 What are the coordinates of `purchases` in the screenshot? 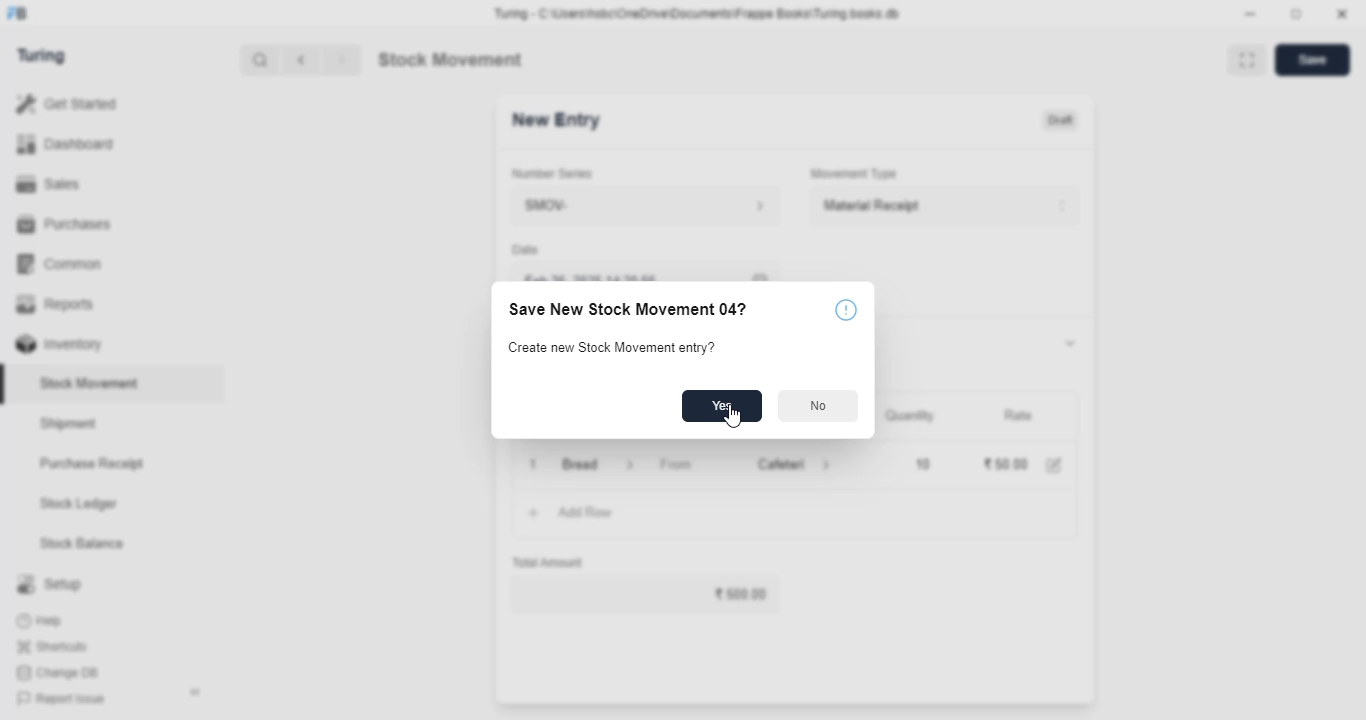 It's located at (64, 224).